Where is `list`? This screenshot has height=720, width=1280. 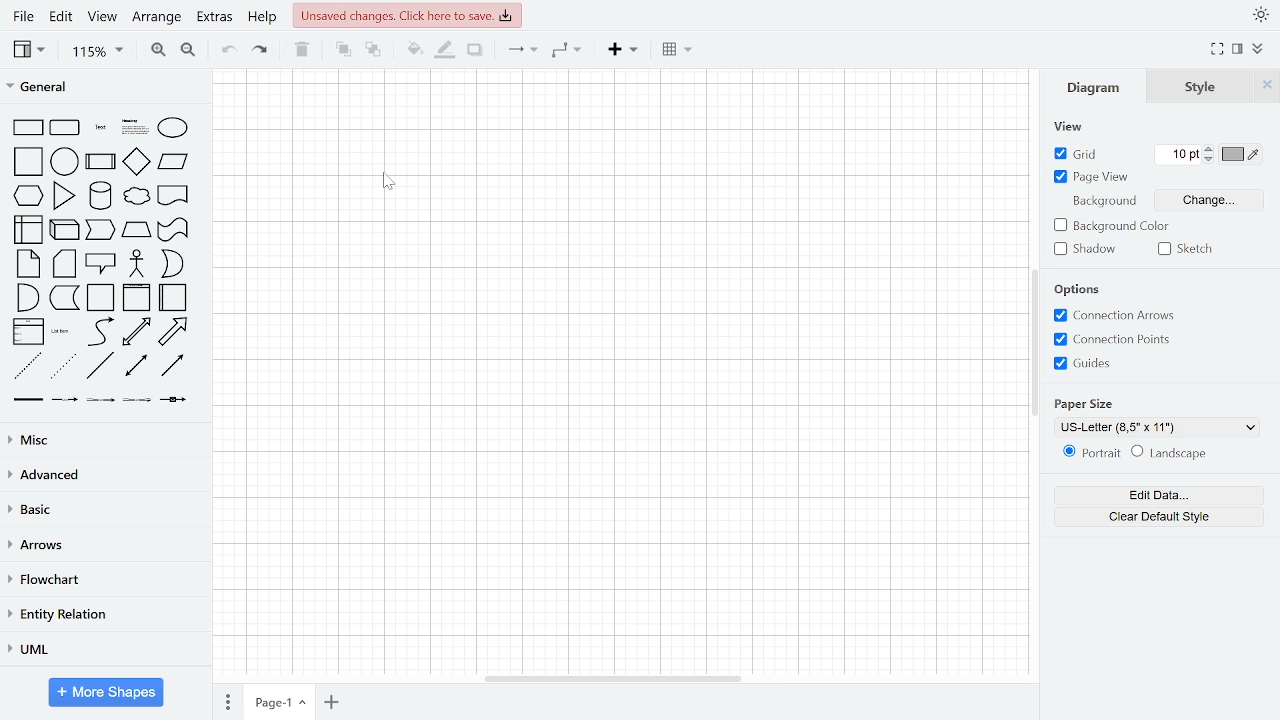 list is located at coordinates (30, 332).